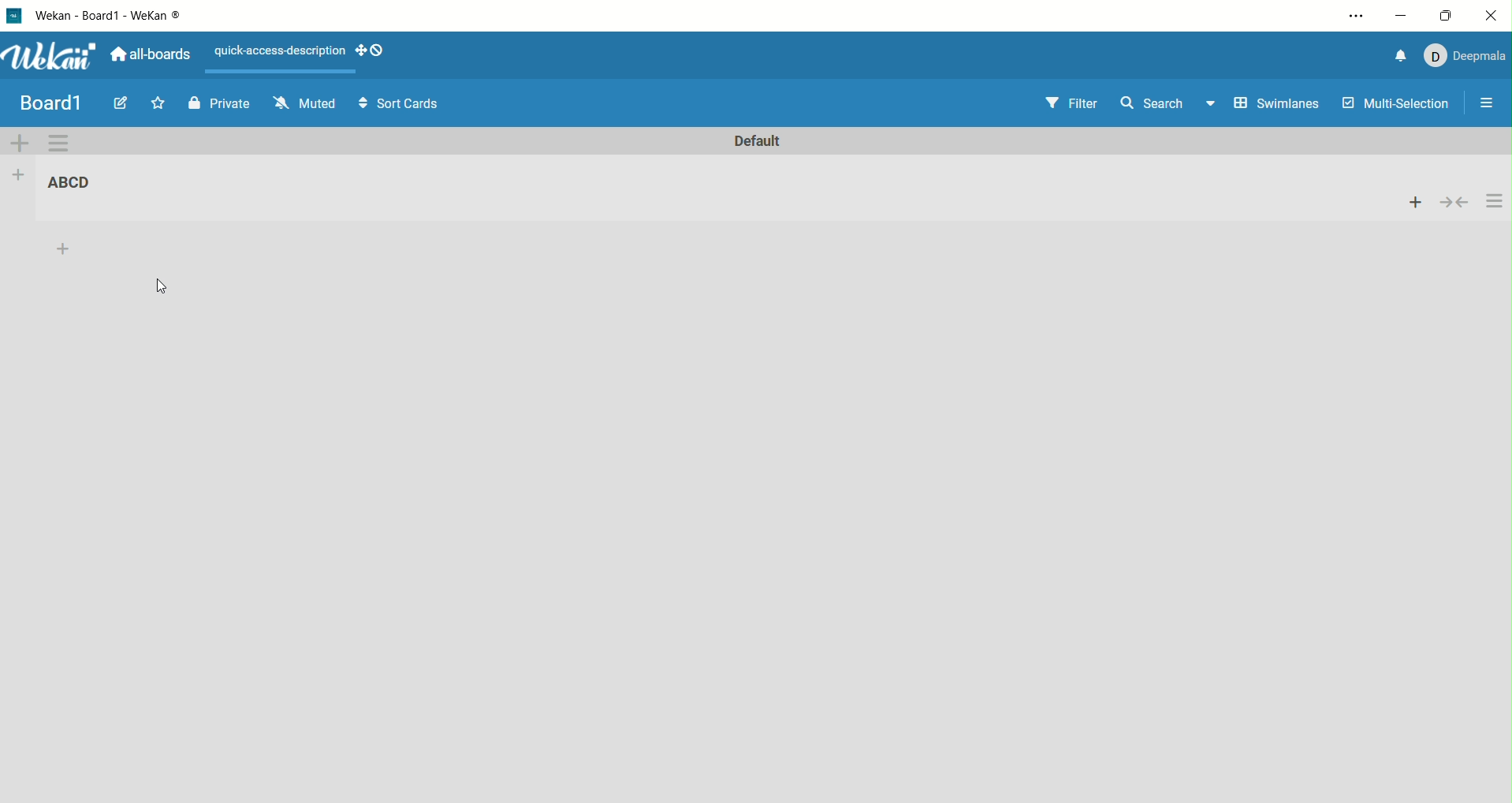 The width and height of the screenshot is (1512, 803). I want to click on muted, so click(305, 102).